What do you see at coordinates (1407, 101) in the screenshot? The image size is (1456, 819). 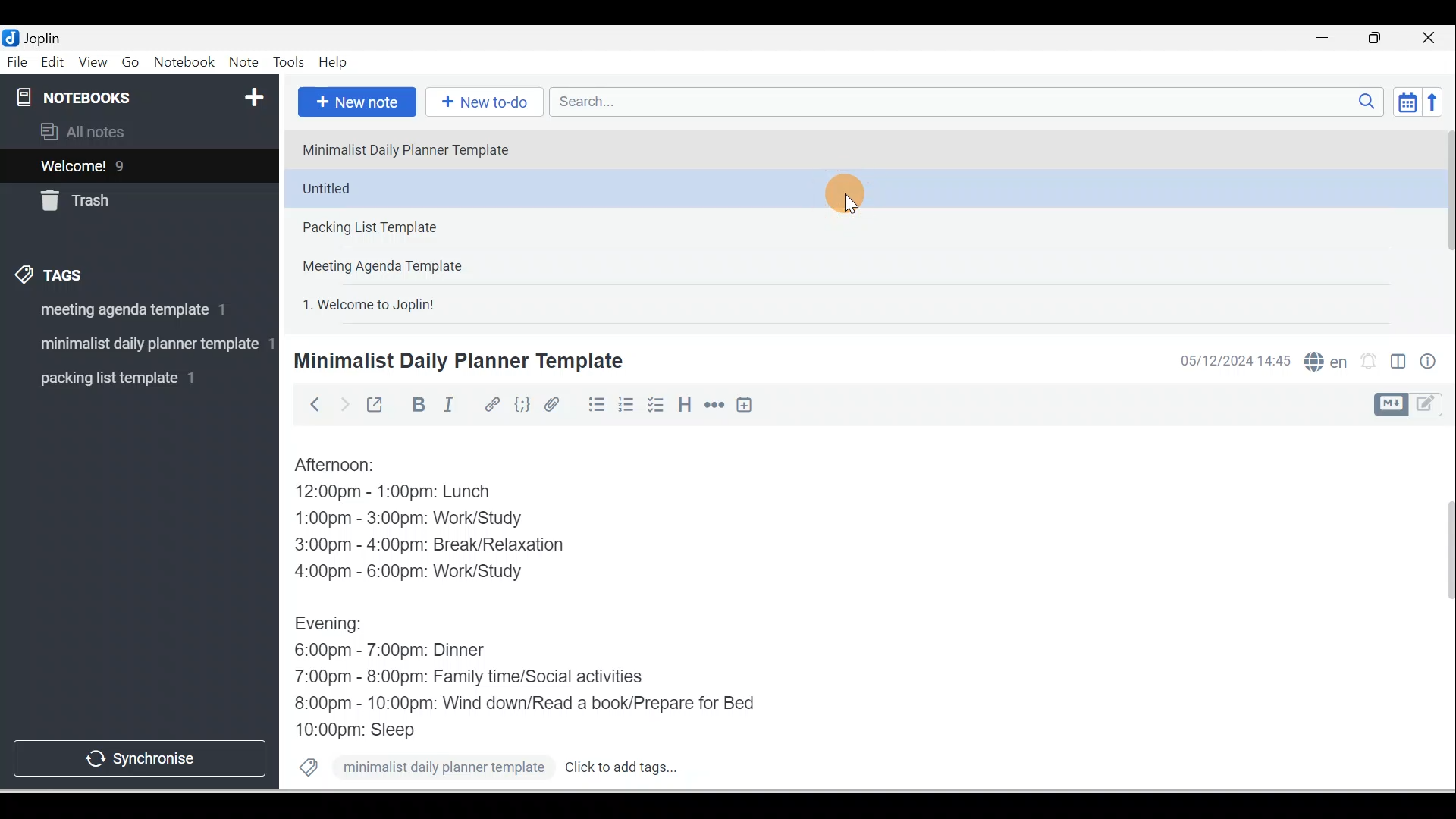 I see `Toggle sort order` at bounding box center [1407, 101].